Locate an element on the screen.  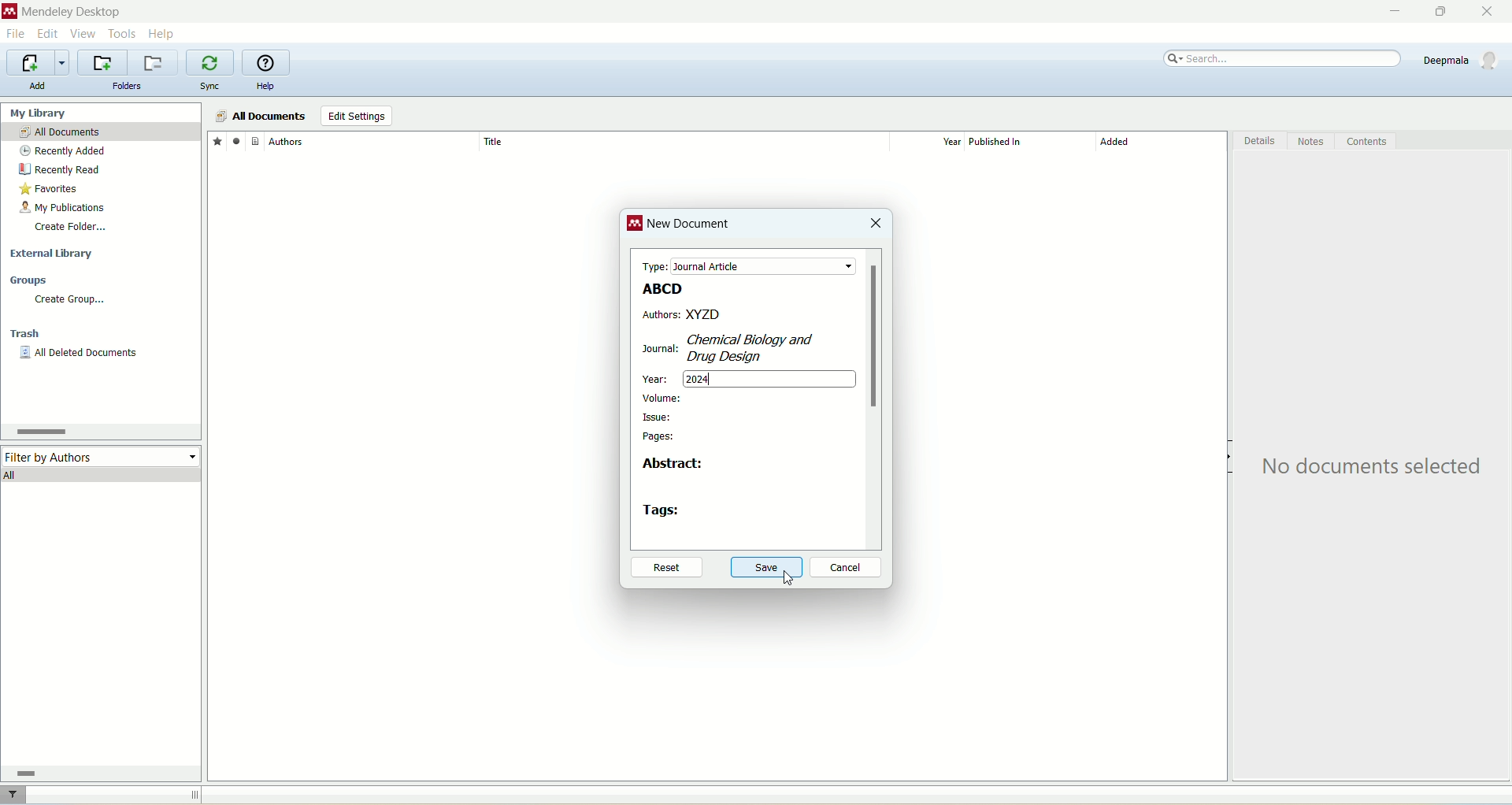
minimize is located at coordinates (1392, 12).